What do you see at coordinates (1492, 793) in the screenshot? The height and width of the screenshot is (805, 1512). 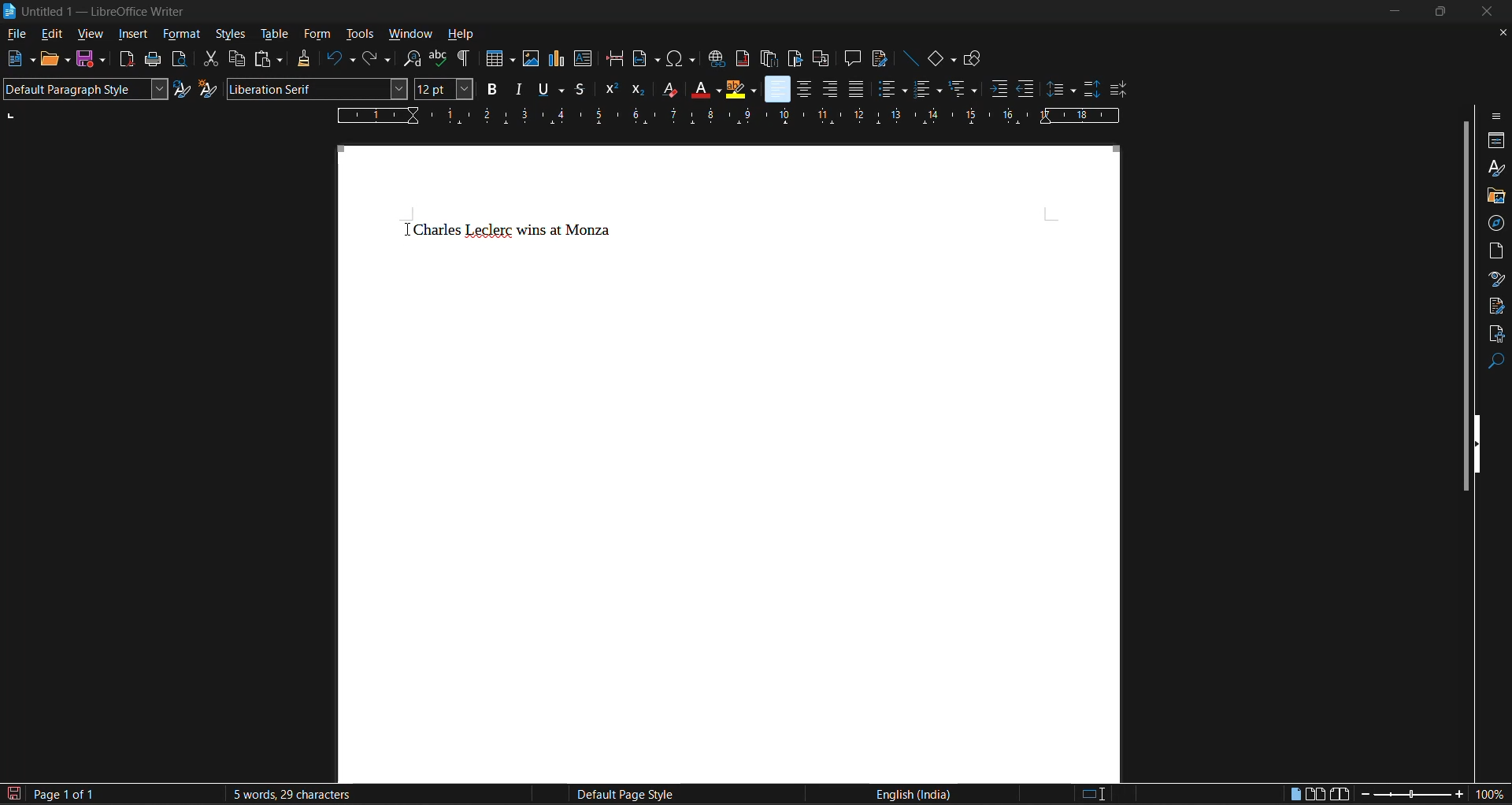 I see `zoom factor` at bounding box center [1492, 793].